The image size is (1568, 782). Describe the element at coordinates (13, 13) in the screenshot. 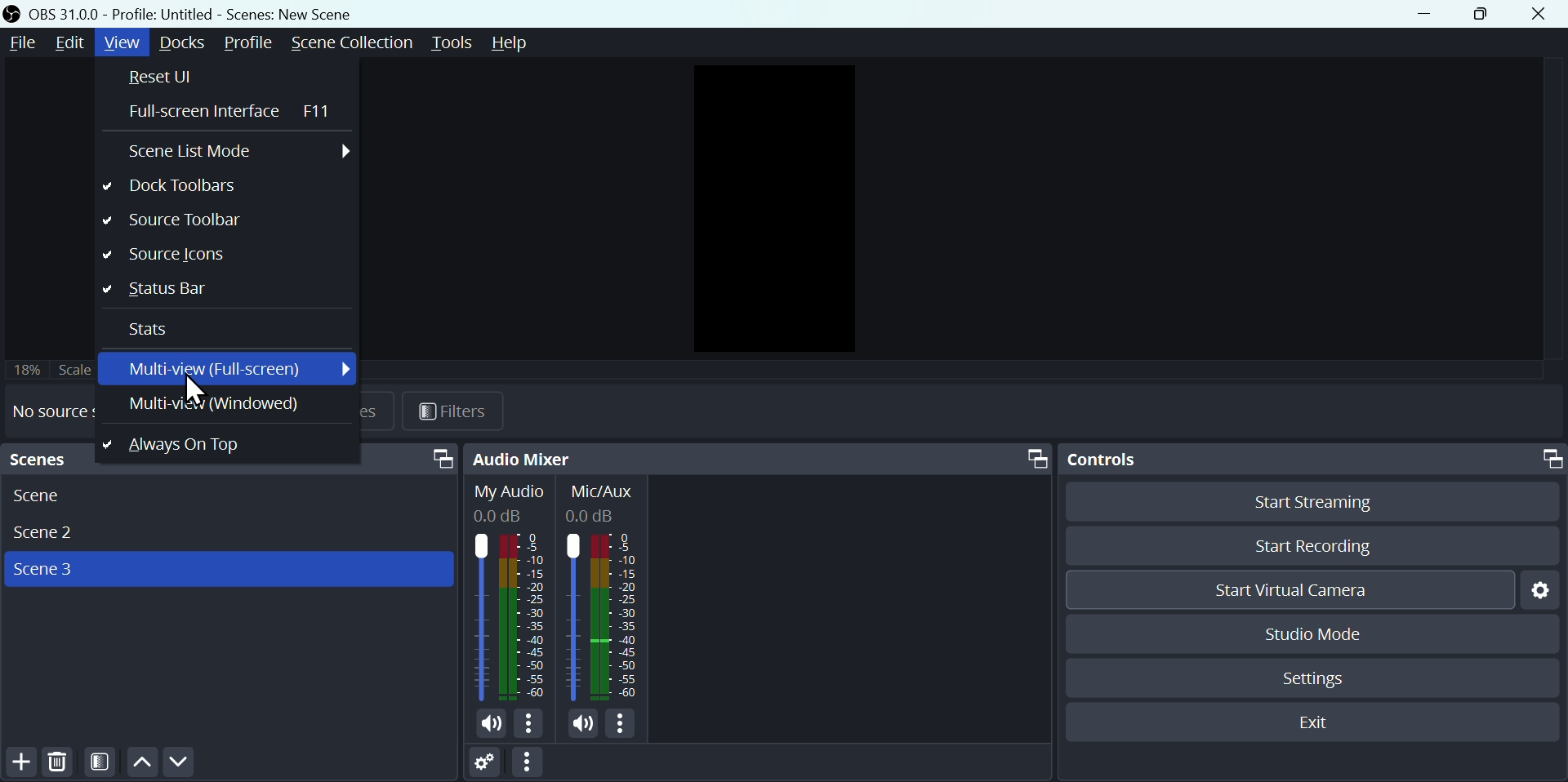

I see `OBS Desktop icon` at that location.